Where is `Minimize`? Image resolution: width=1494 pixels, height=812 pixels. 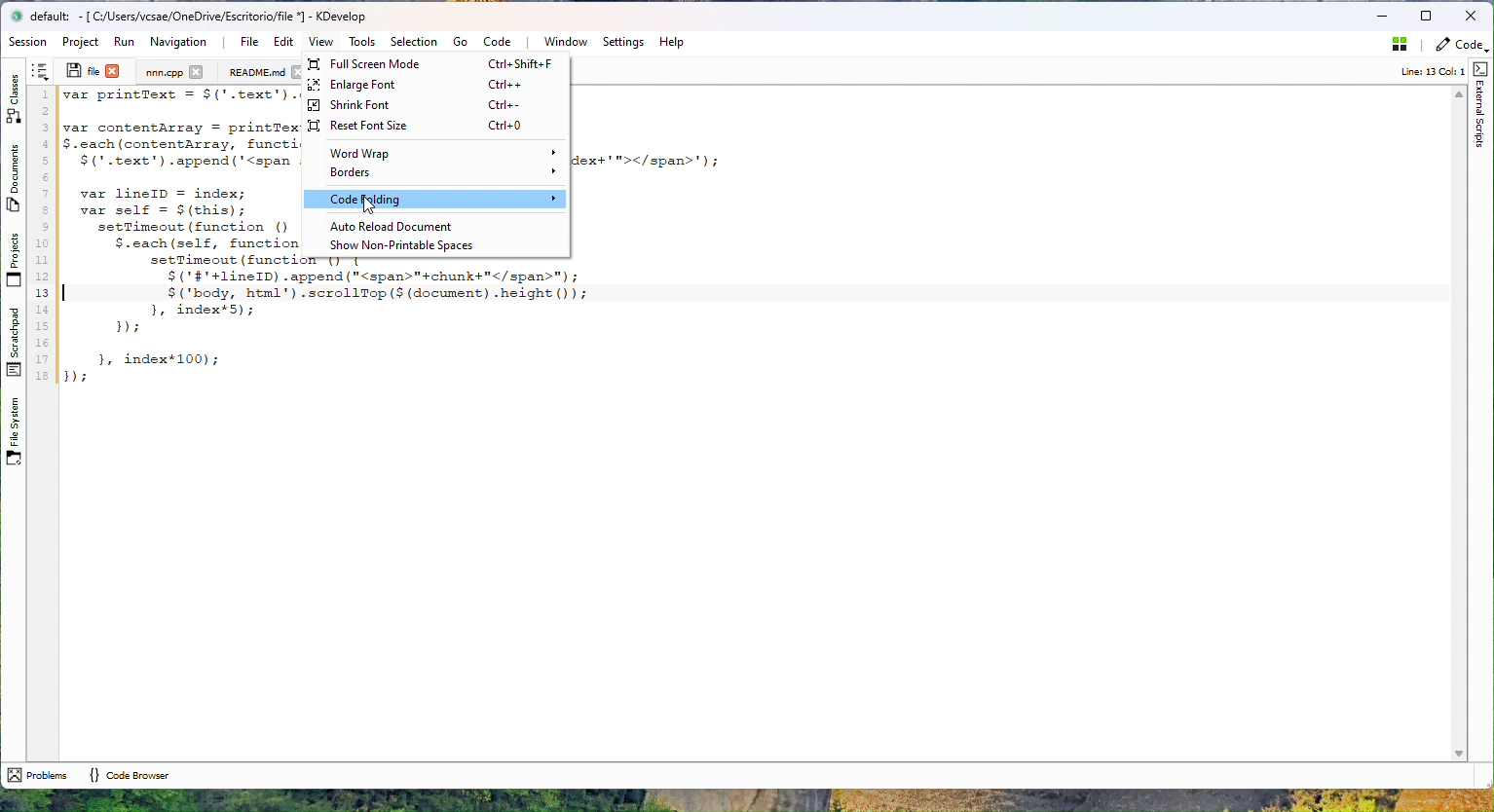 Minimize is located at coordinates (1381, 17).